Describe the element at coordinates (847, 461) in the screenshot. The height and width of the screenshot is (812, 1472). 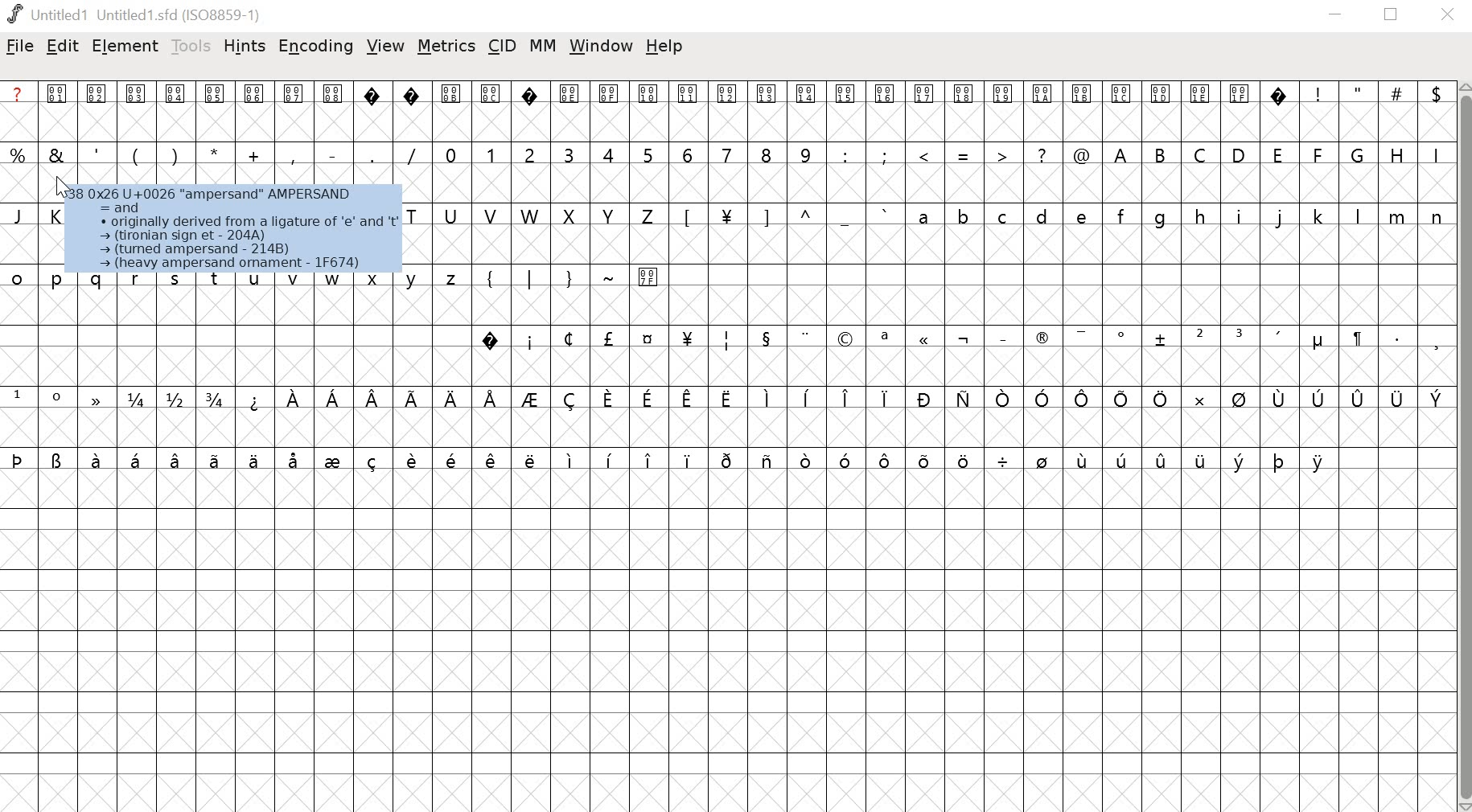
I see `symbol` at that location.